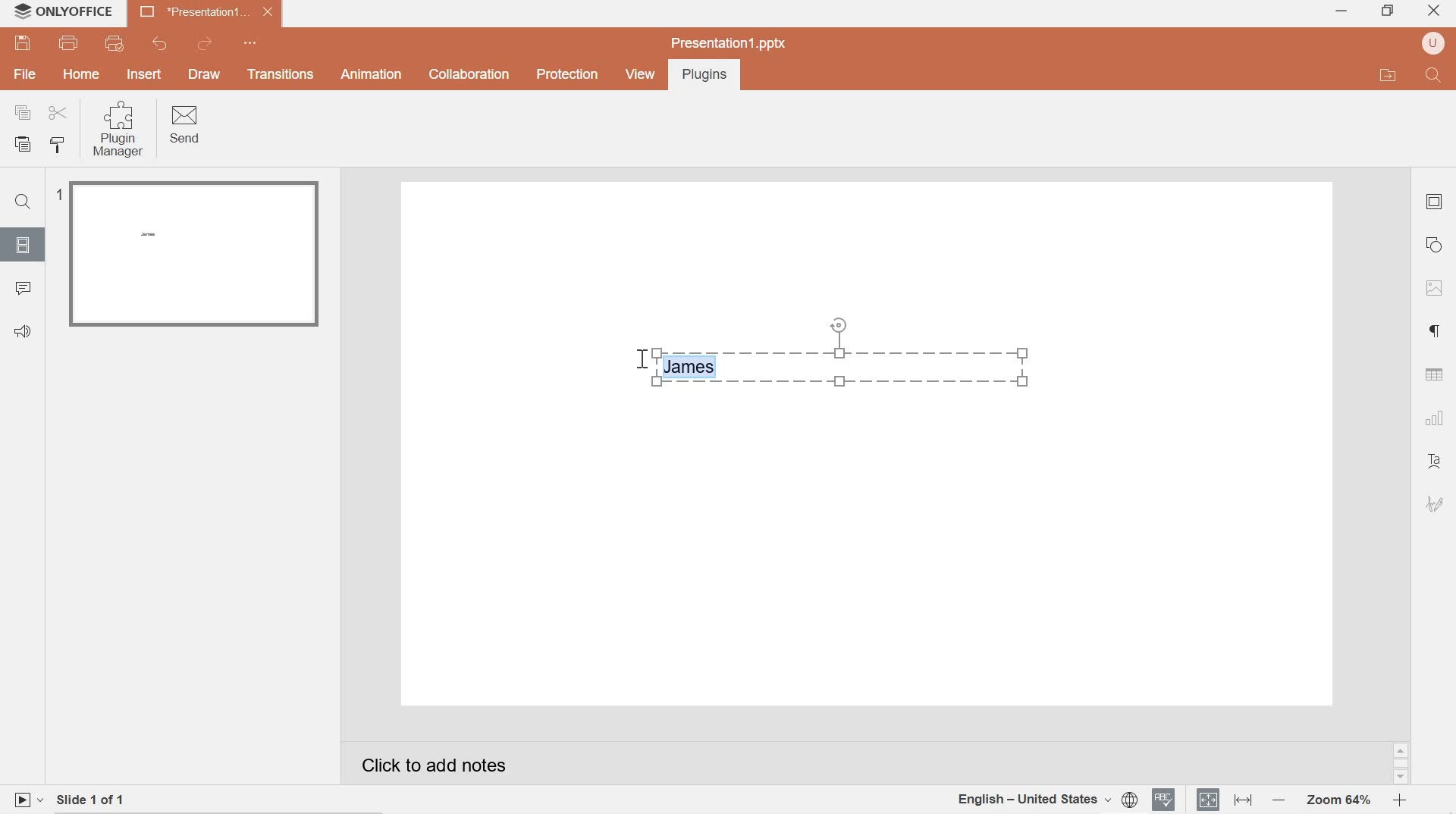 The width and height of the screenshot is (1456, 814). I want to click on system name, so click(81, 11).